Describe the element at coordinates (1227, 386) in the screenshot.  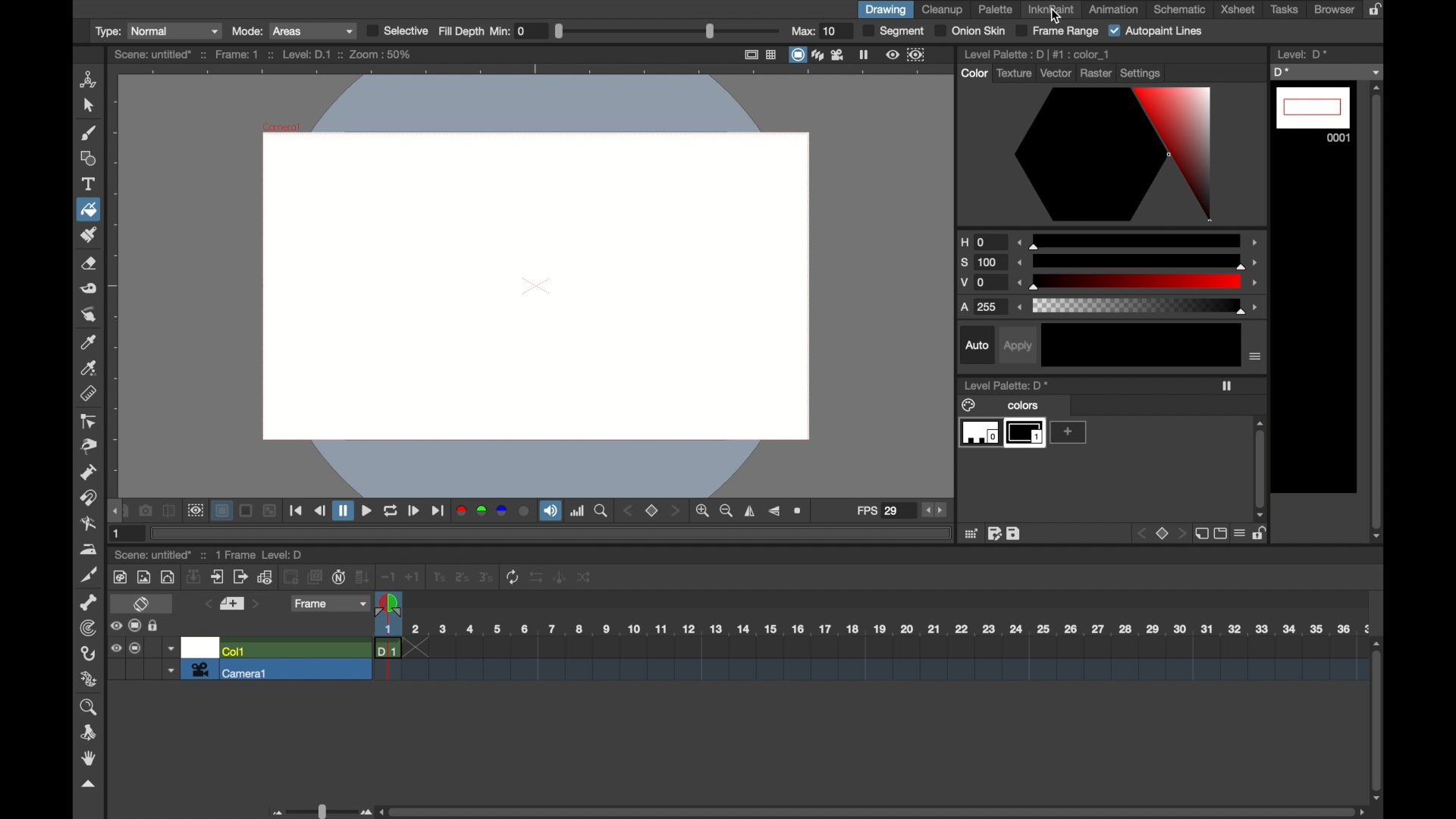
I see `freeze` at that location.